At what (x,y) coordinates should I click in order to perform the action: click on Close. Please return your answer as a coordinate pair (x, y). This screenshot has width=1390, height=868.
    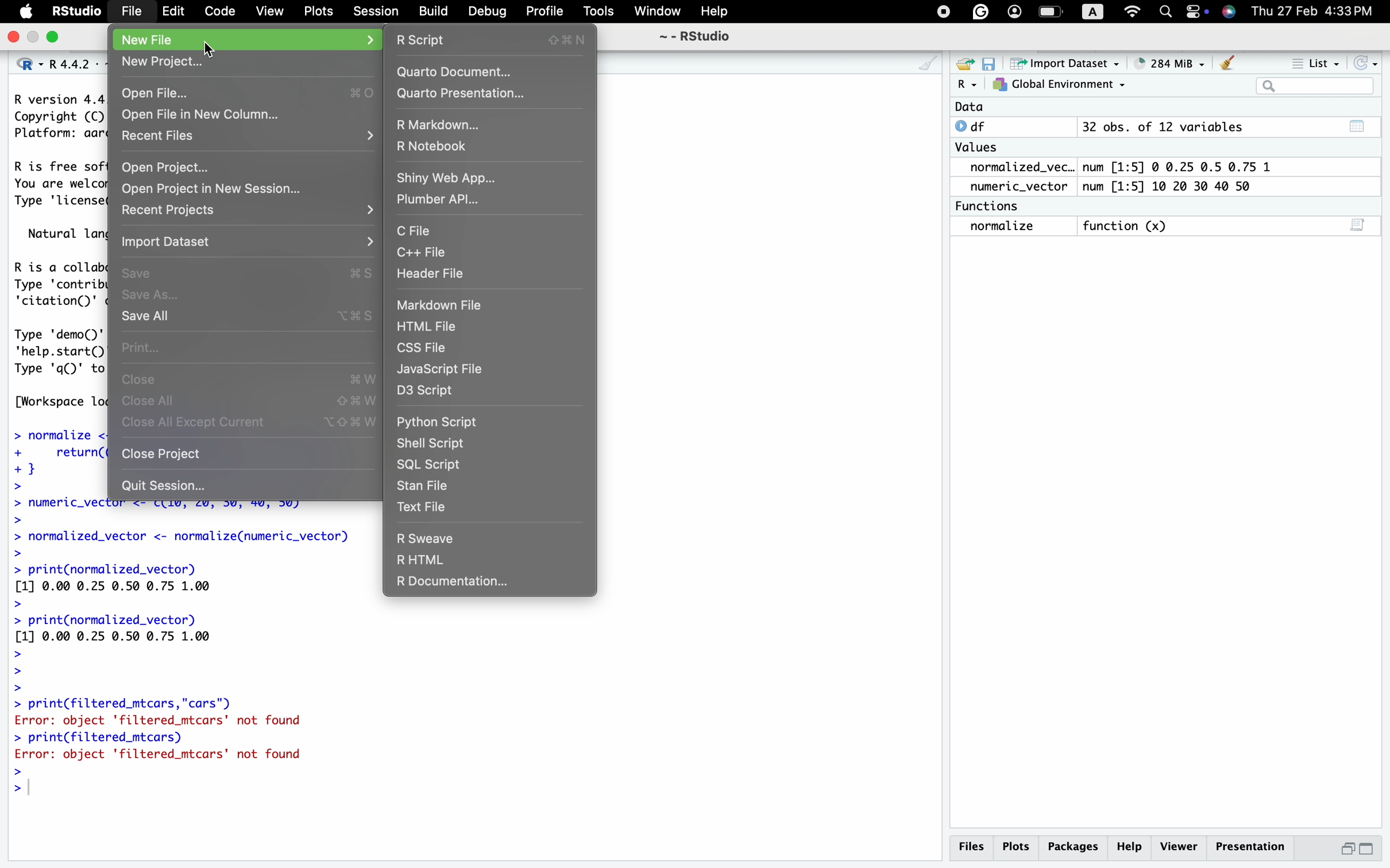
    Looking at the image, I should click on (252, 379).